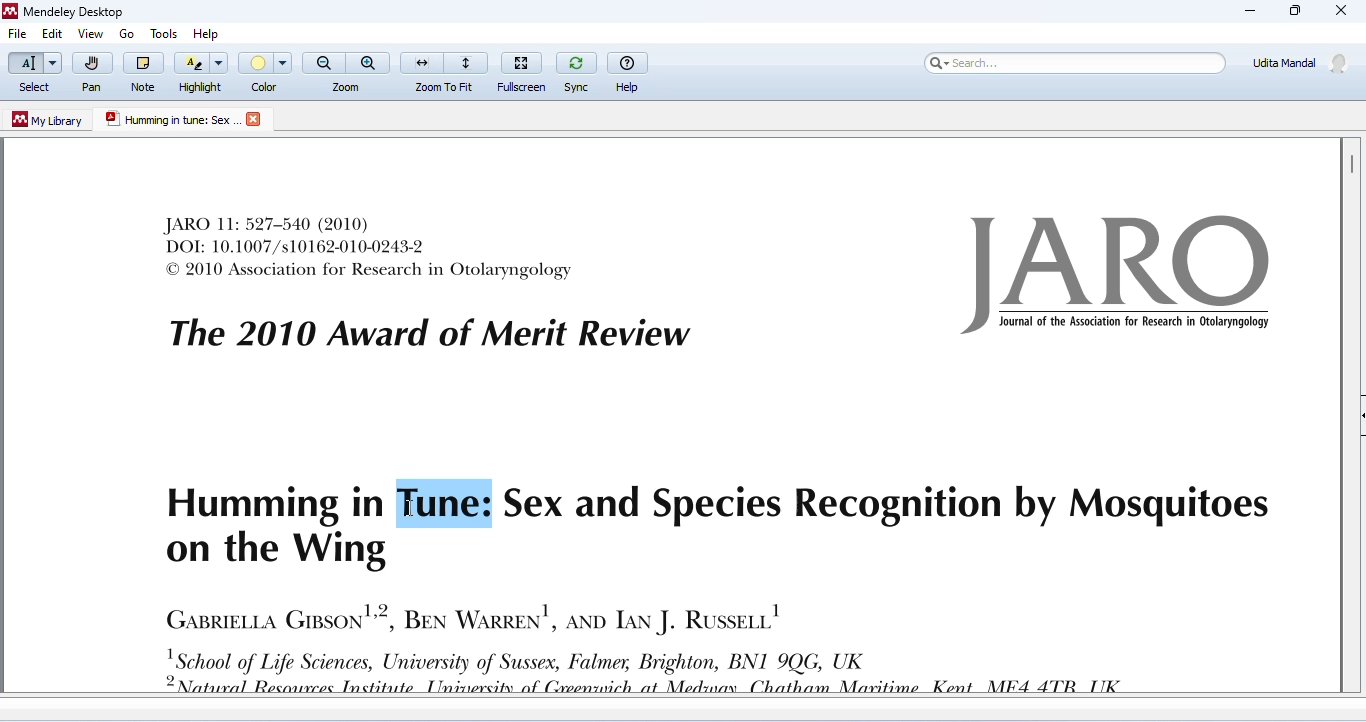  What do you see at coordinates (524, 69) in the screenshot?
I see `fullscreen` at bounding box center [524, 69].